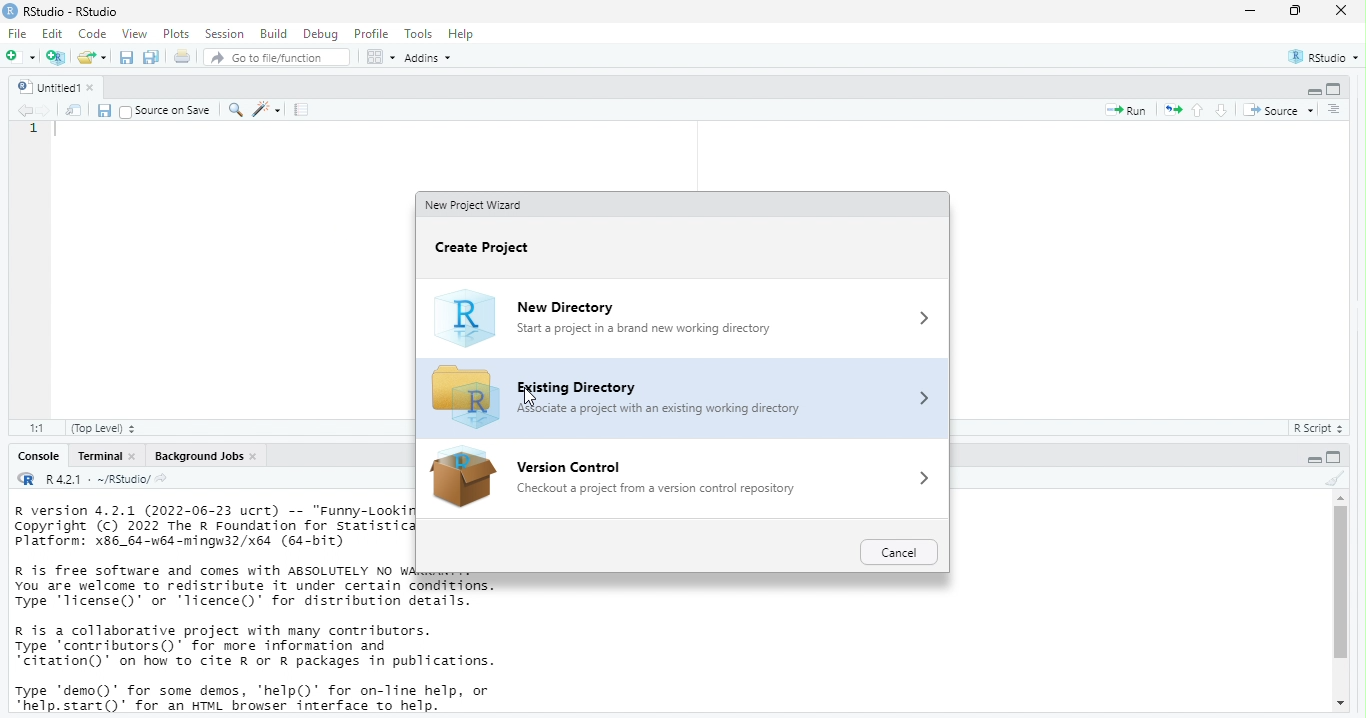 The width and height of the screenshot is (1366, 718). I want to click on RStudio, so click(1325, 53).